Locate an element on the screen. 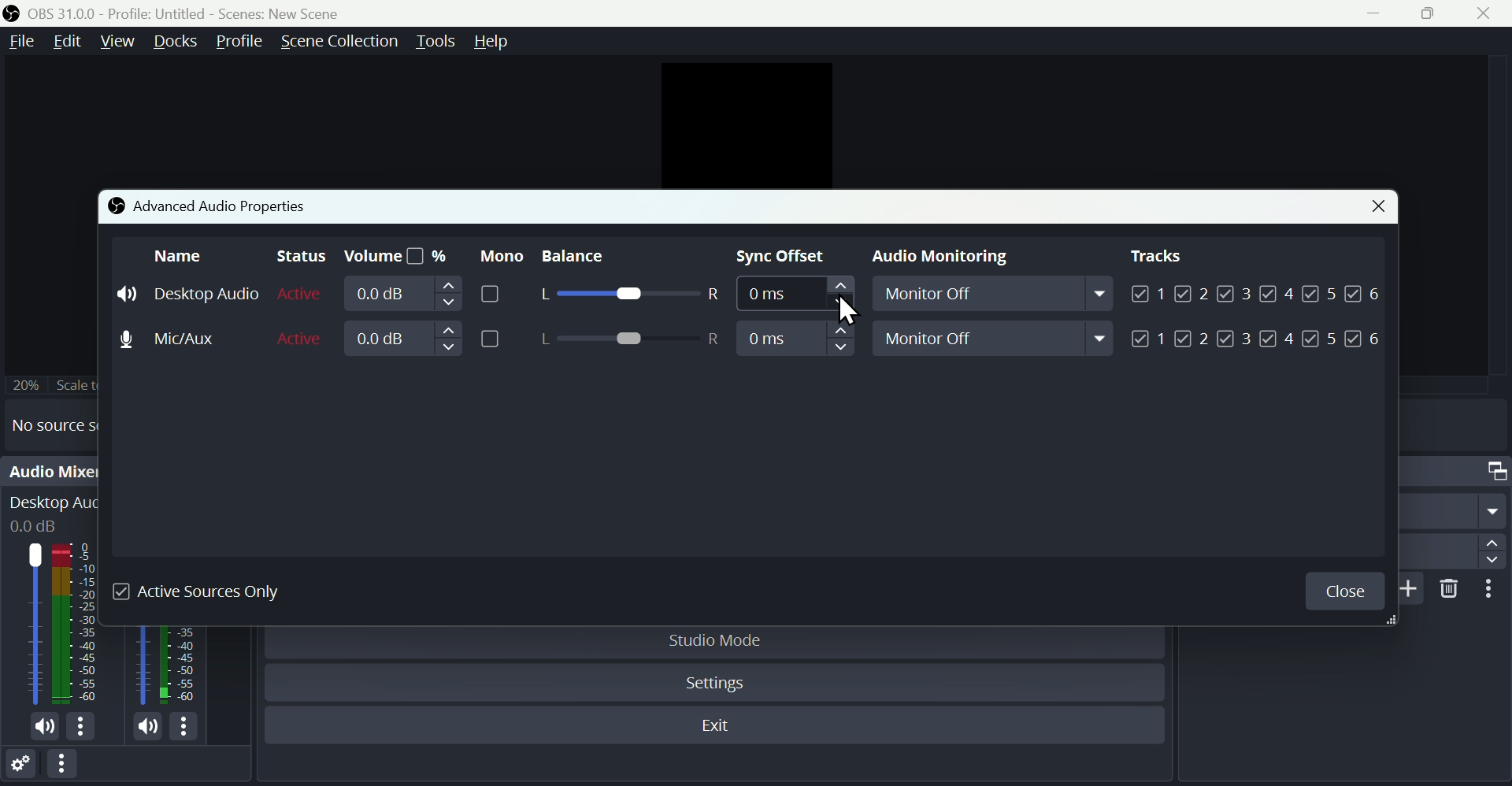 The height and width of the screenshot is (786, 1512). More options is located at coordinates (1494, 590).